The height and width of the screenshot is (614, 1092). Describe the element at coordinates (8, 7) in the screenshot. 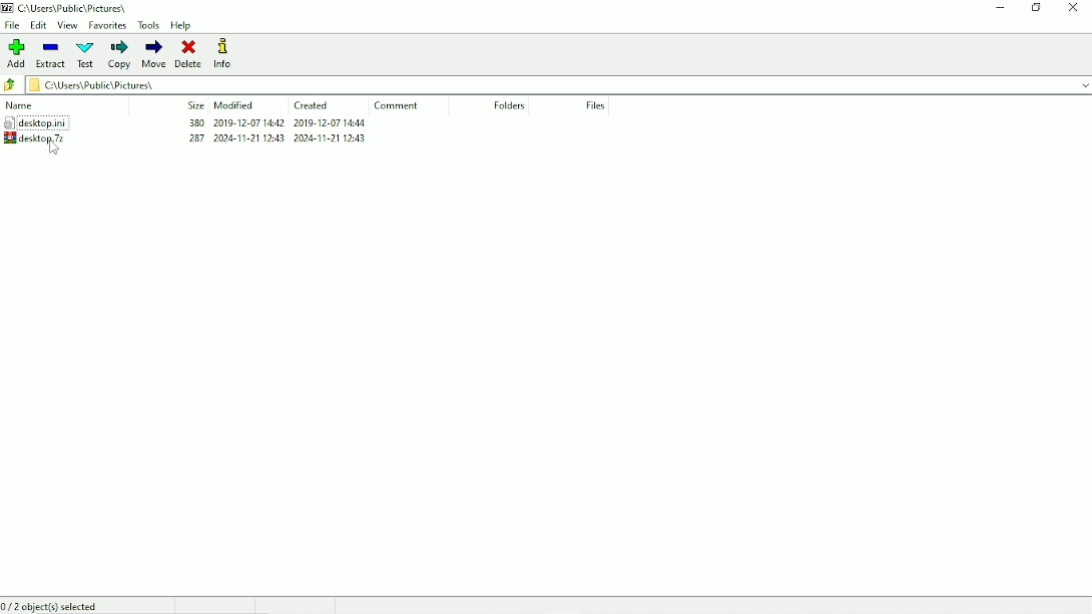

I see `7 zip logo` at that location.